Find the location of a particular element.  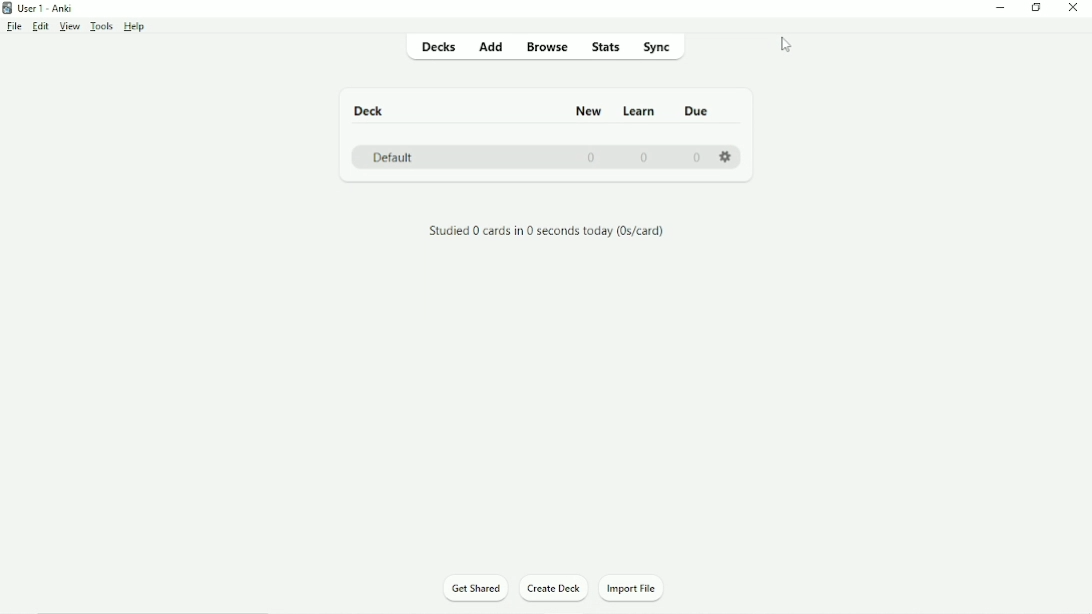

0 is located at coordinates (647, 156).